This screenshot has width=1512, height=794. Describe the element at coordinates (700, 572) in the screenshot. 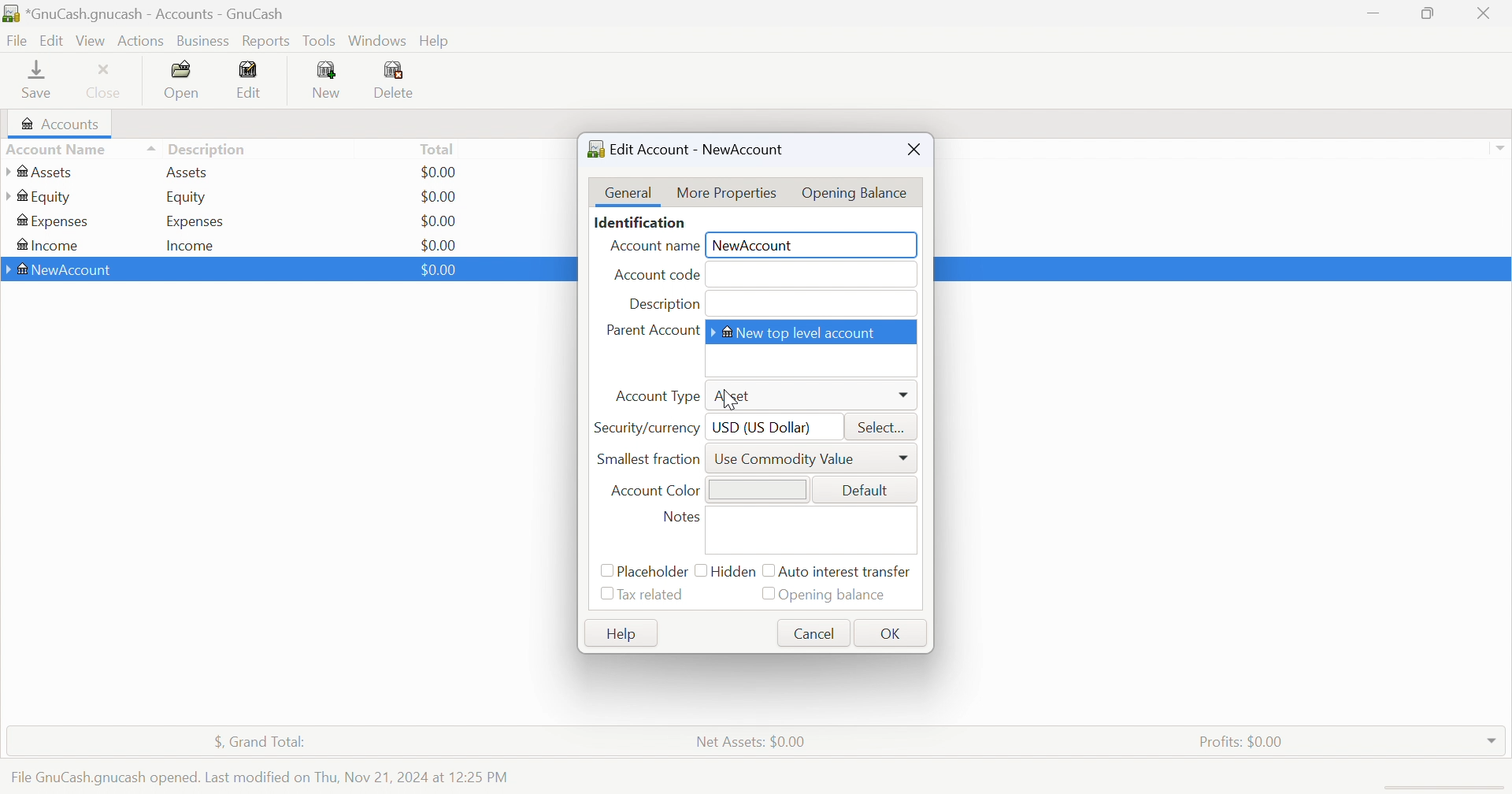

I see `checkbox` at that location.